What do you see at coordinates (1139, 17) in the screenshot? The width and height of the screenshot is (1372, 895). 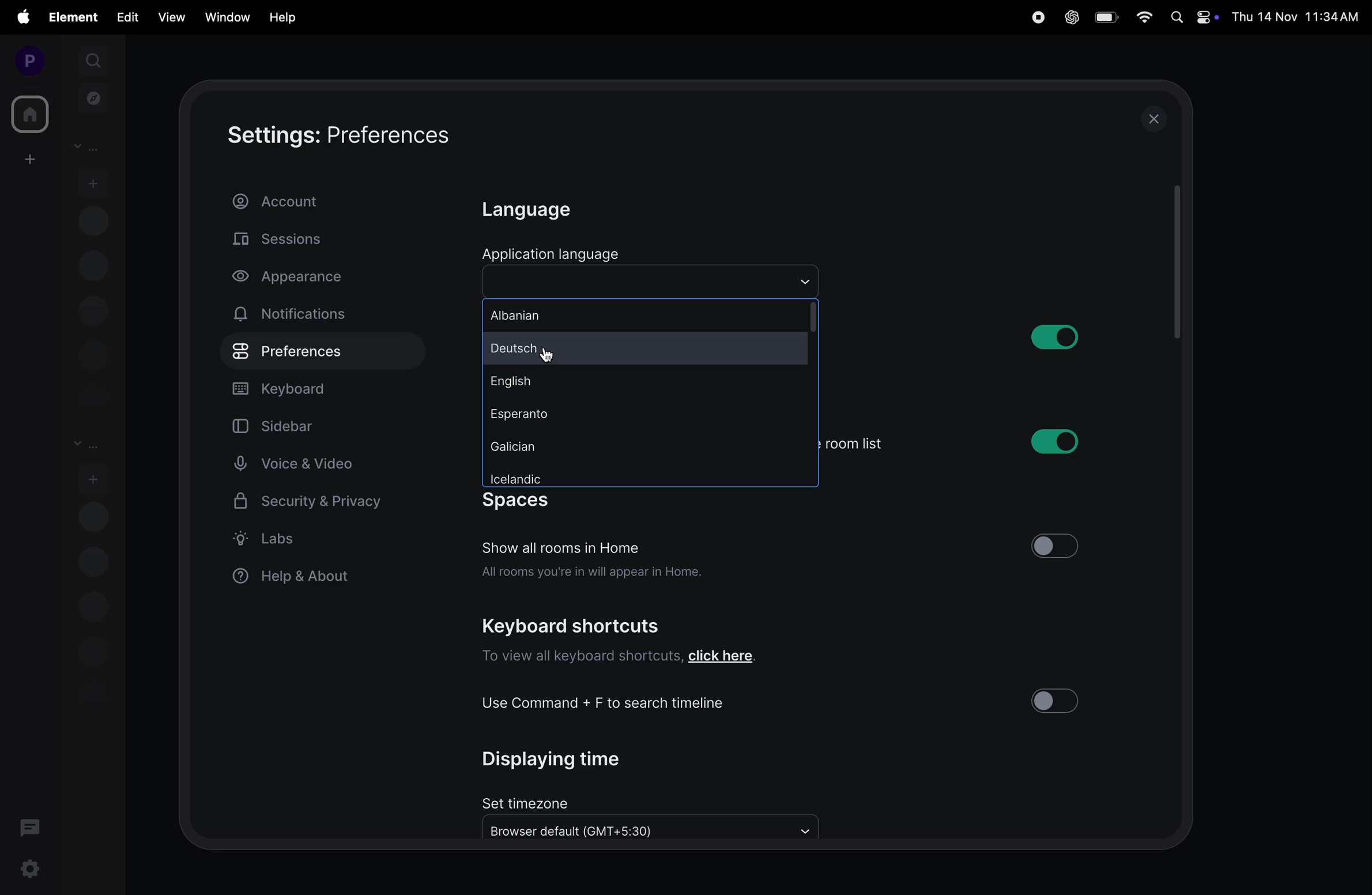 I see `wifi` at bounding box center [1139, 17].